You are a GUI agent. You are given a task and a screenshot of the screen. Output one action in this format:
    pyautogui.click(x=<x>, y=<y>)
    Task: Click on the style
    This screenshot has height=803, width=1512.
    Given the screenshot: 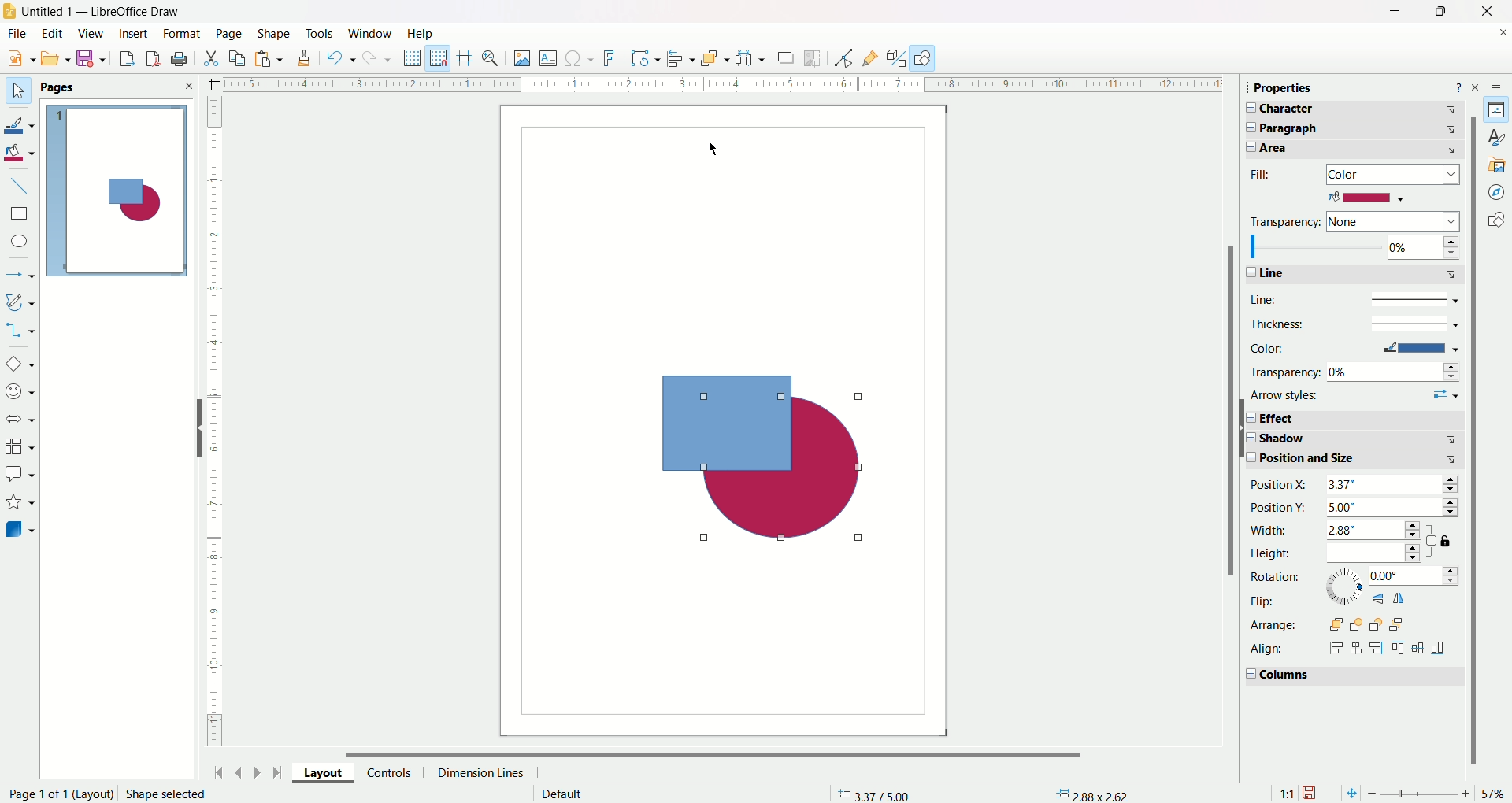 What is the action you would take?
    pyautogui.click(x=1492, y=136)
    